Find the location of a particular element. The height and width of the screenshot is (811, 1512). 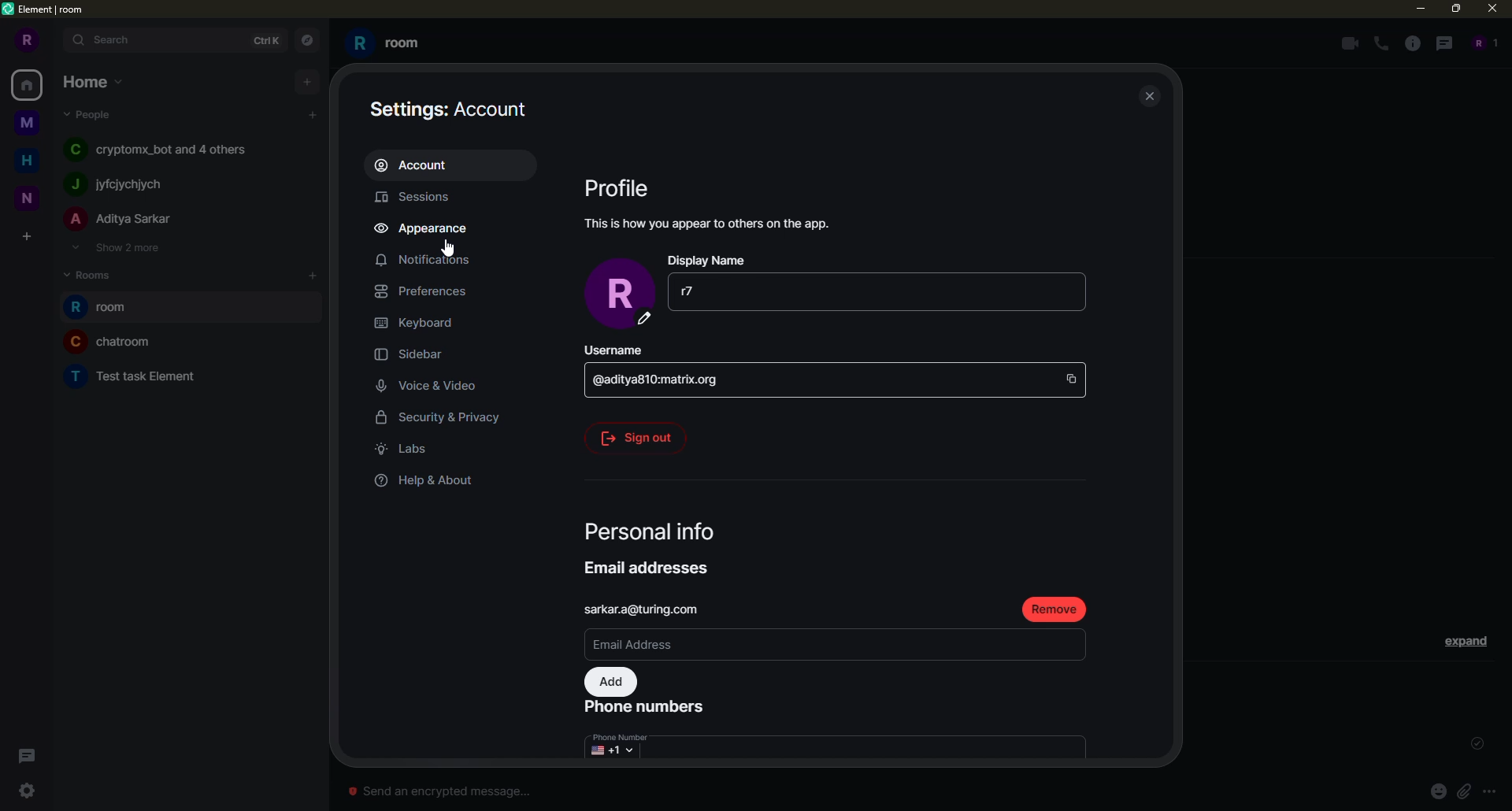

room is located at coordinates (112, 341).